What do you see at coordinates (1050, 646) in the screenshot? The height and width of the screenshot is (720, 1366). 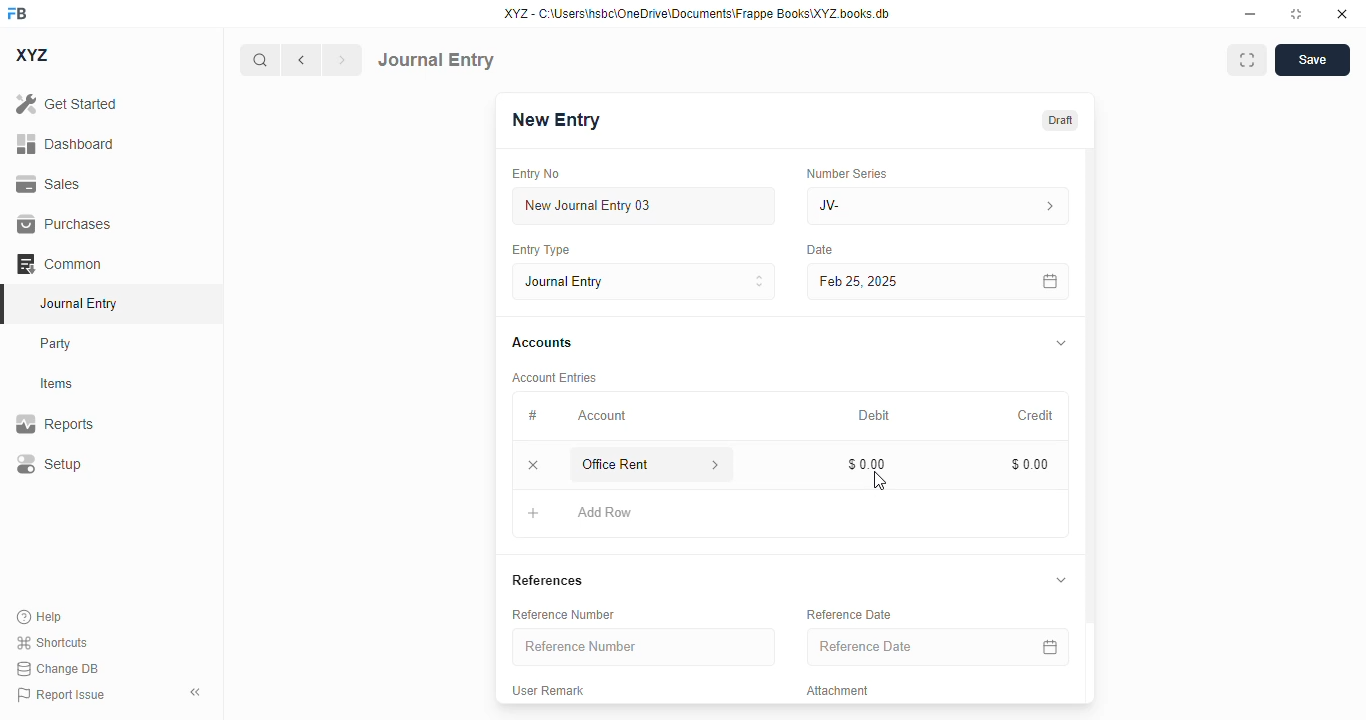 I see `calendar icon` at bounding box center [1050, 646].